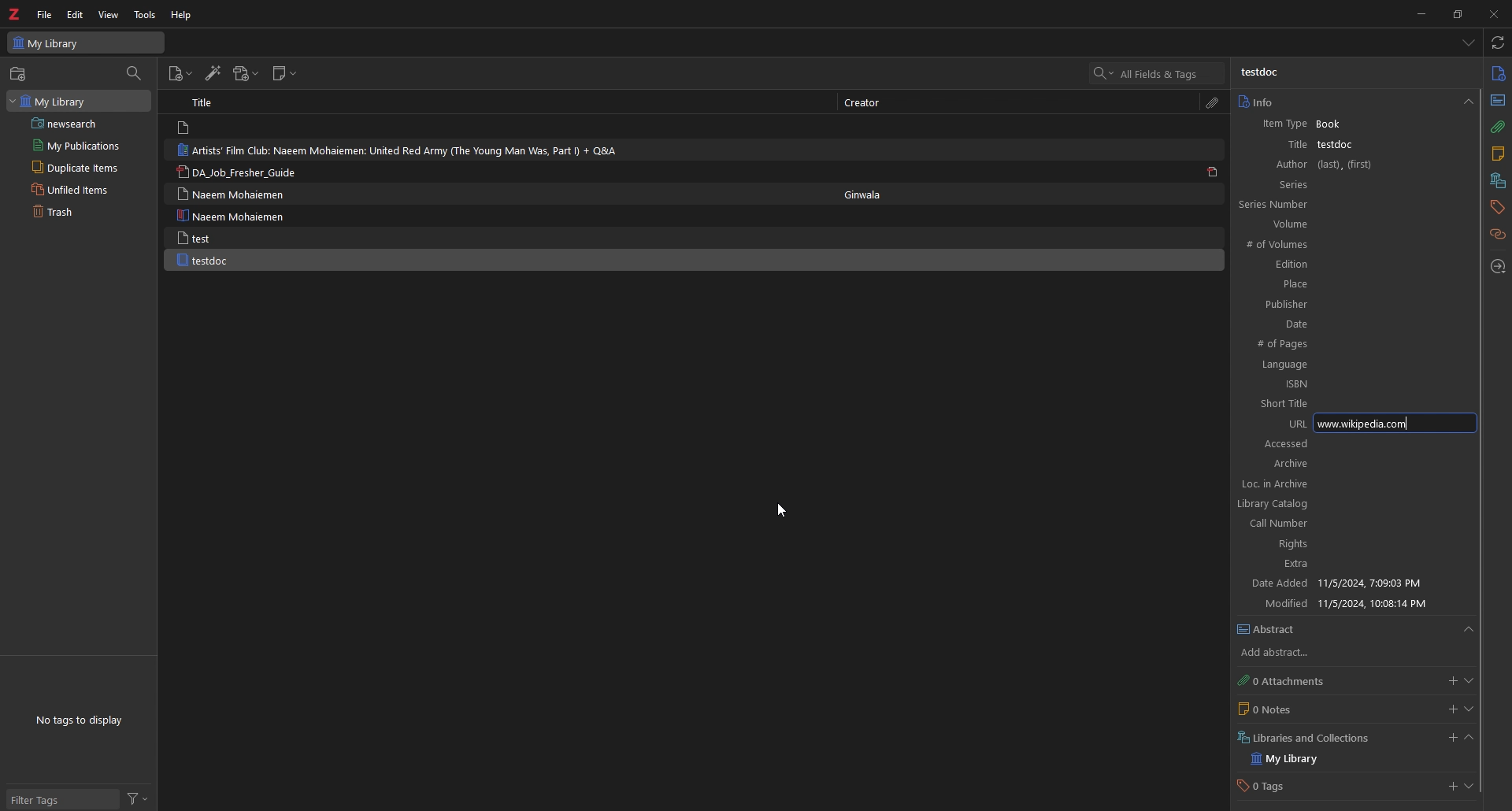 The image size is (1512, 811). I want to click on Artists’ Film Club: Naeem Mohaiemen: United Red Army, so click(402, 150).